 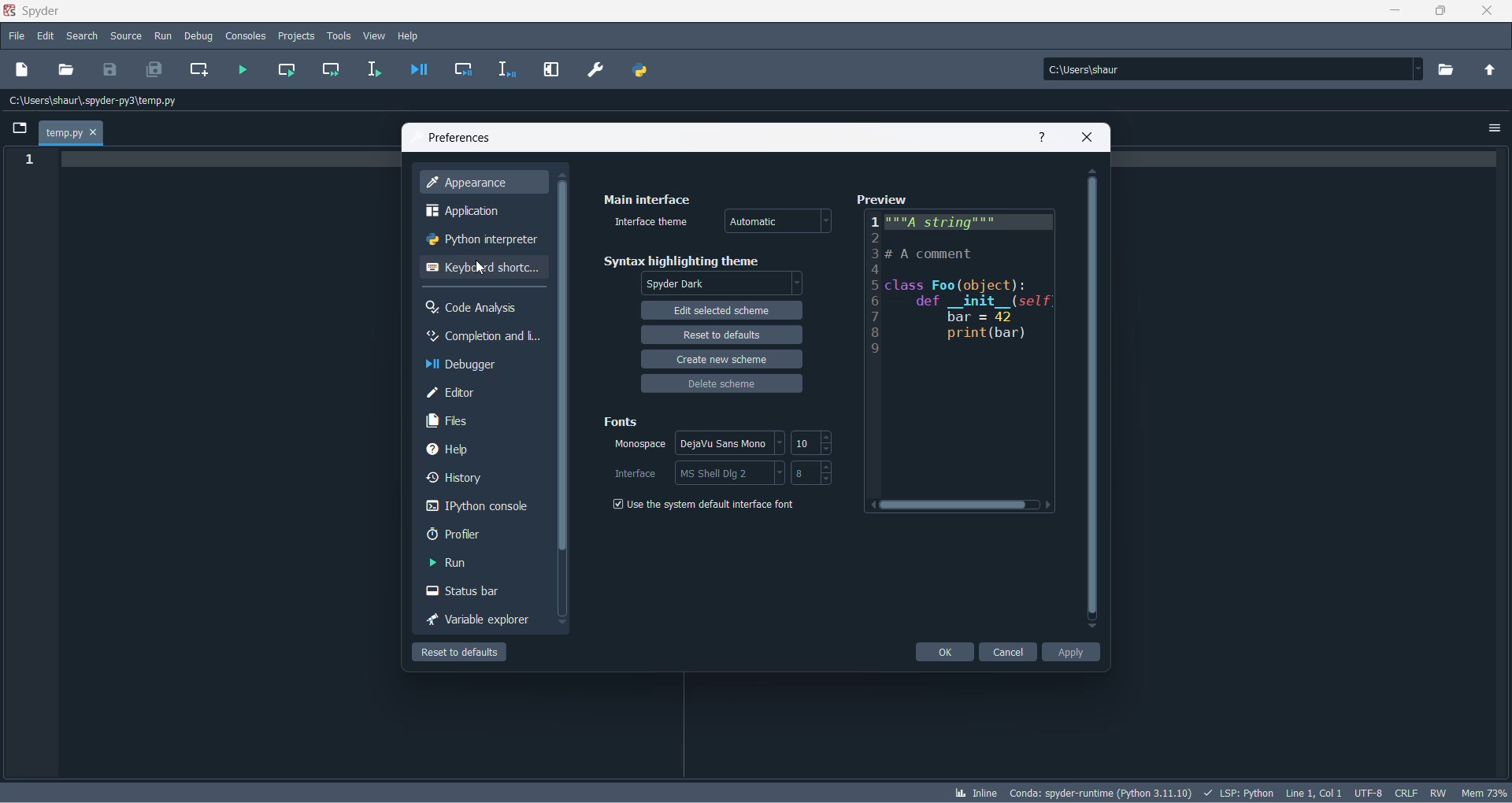 I want to click on apply, so click(x=1070, y=653).